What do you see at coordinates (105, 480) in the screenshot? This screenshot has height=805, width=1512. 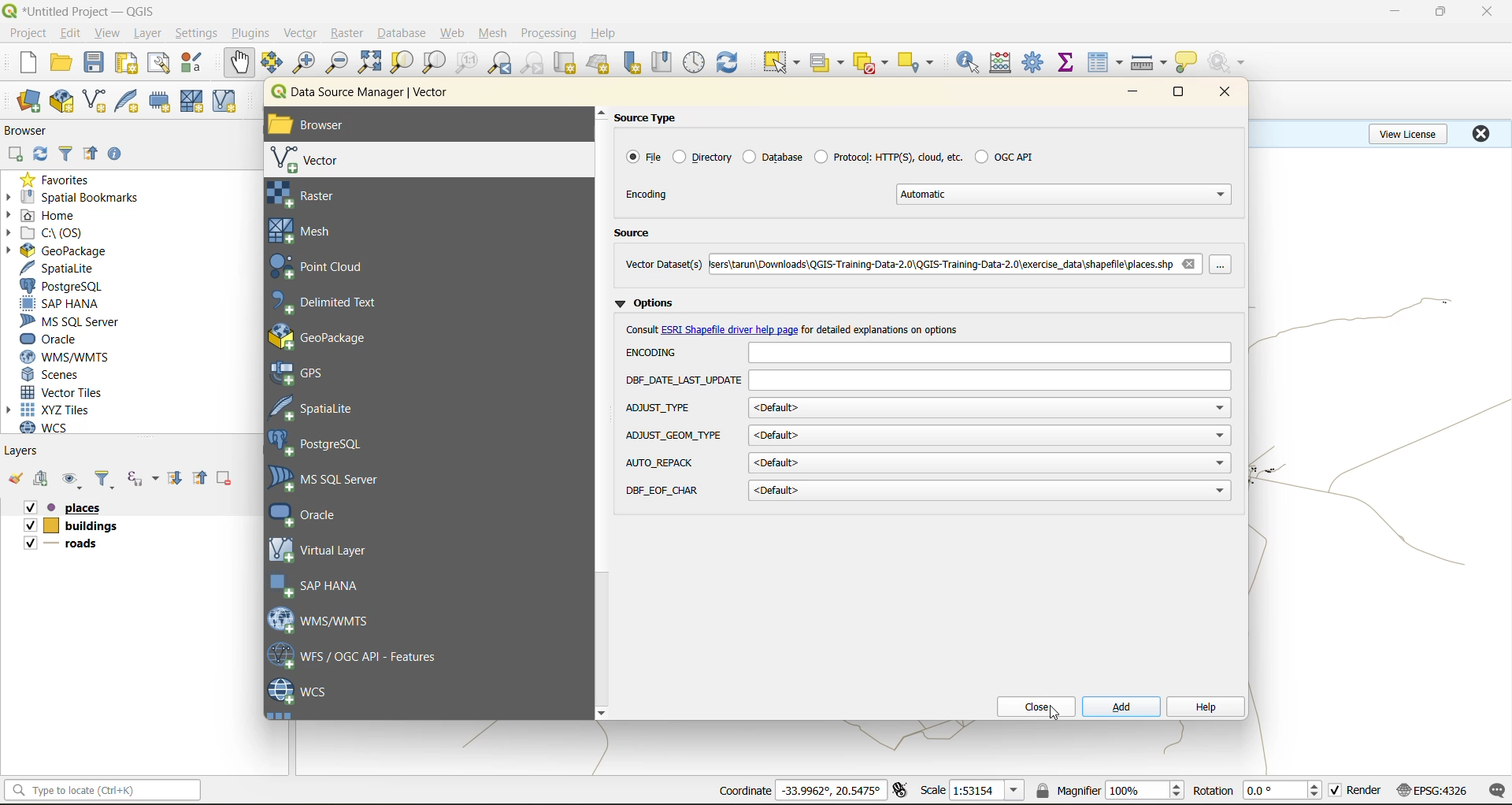 I see `filter` at bounding box center [105, 480].